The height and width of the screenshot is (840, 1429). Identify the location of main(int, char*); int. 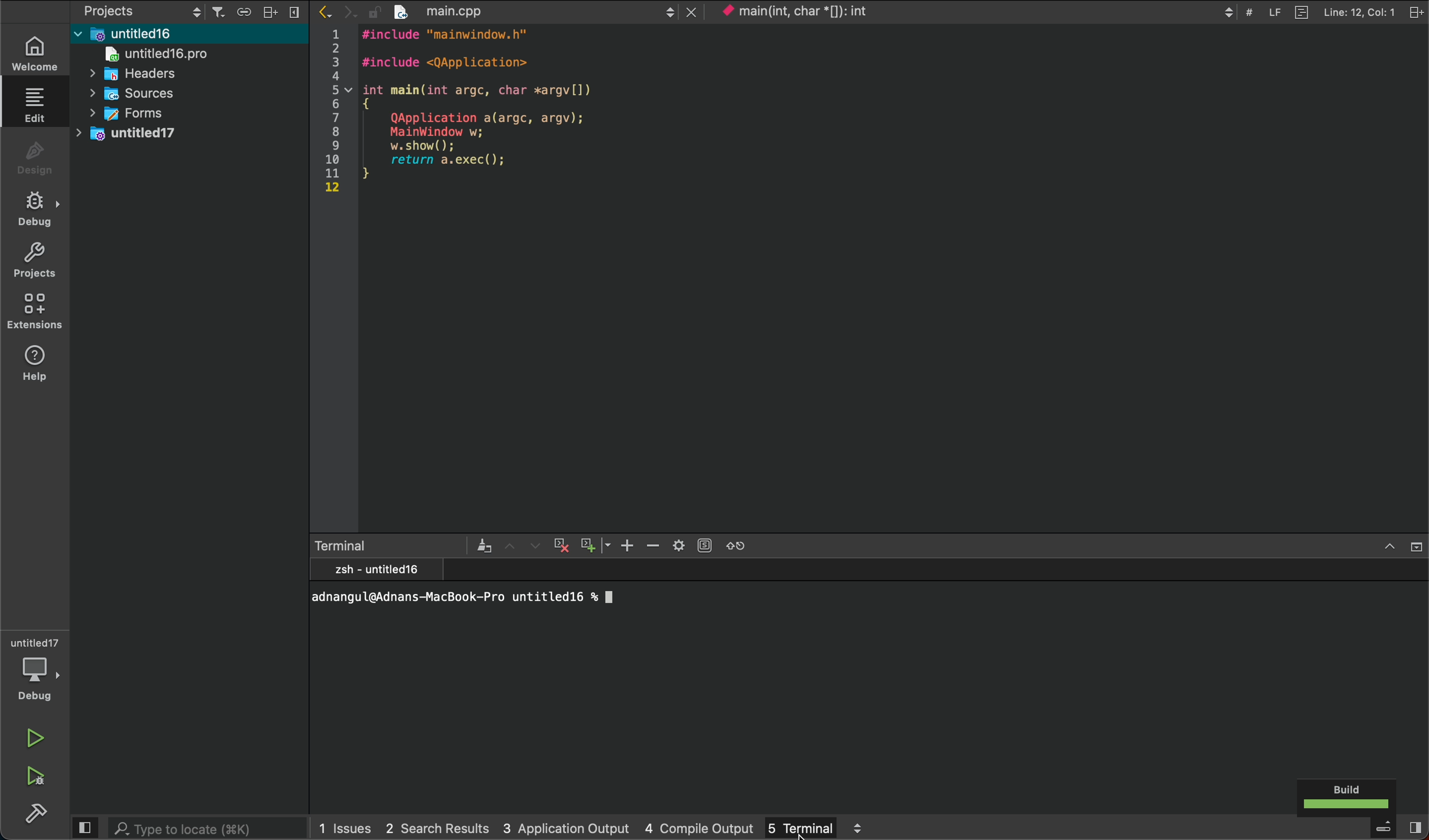
(826, 11).